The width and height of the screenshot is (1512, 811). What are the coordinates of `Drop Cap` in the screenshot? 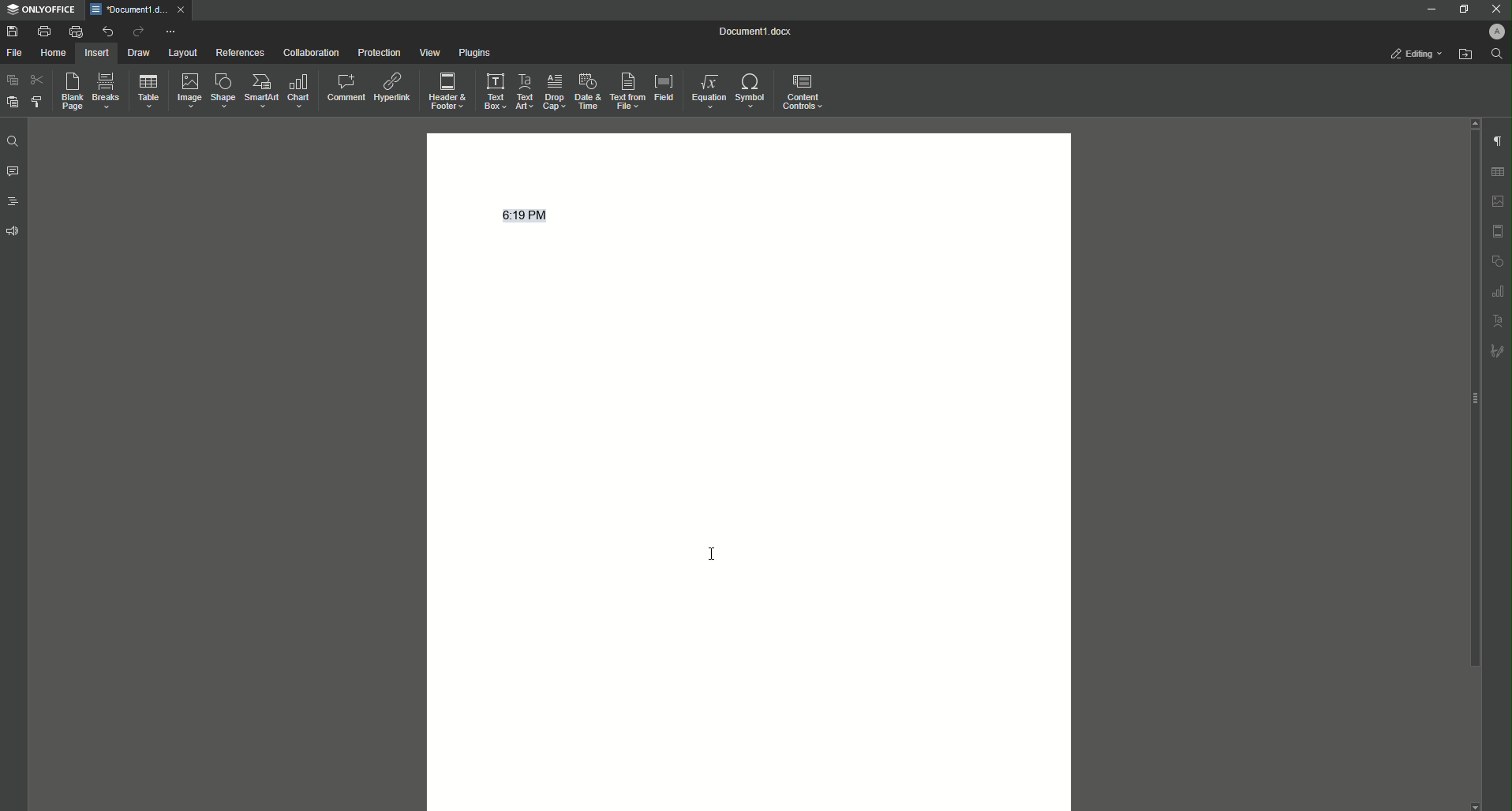 It's located at (553, 90).